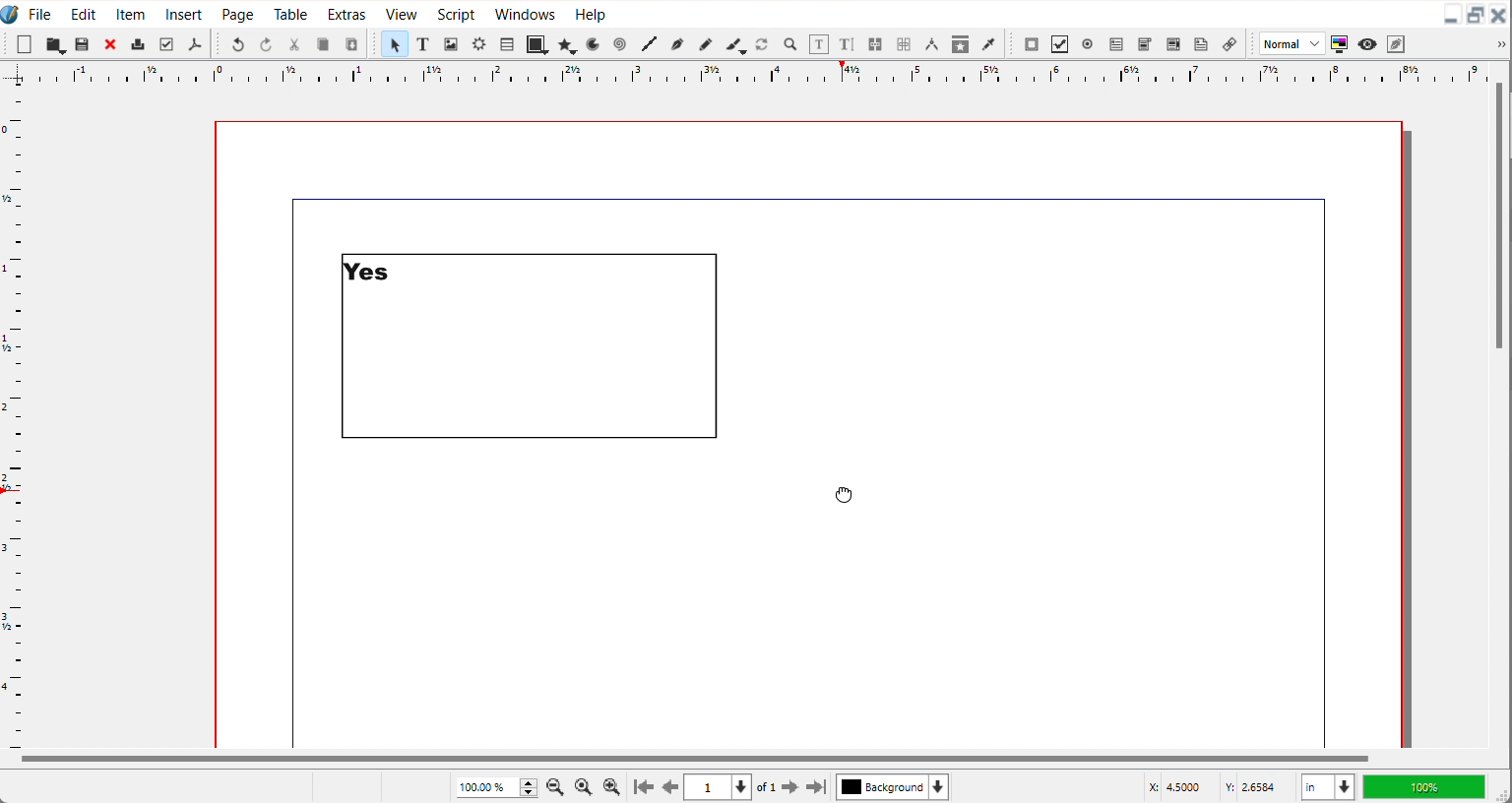 Image resolution: width=1512 pixels, height=803 pixels. What do you see at coordinates (931, 44) in the screenshot?
I see `Measurements` at bounding box center [931, 44].